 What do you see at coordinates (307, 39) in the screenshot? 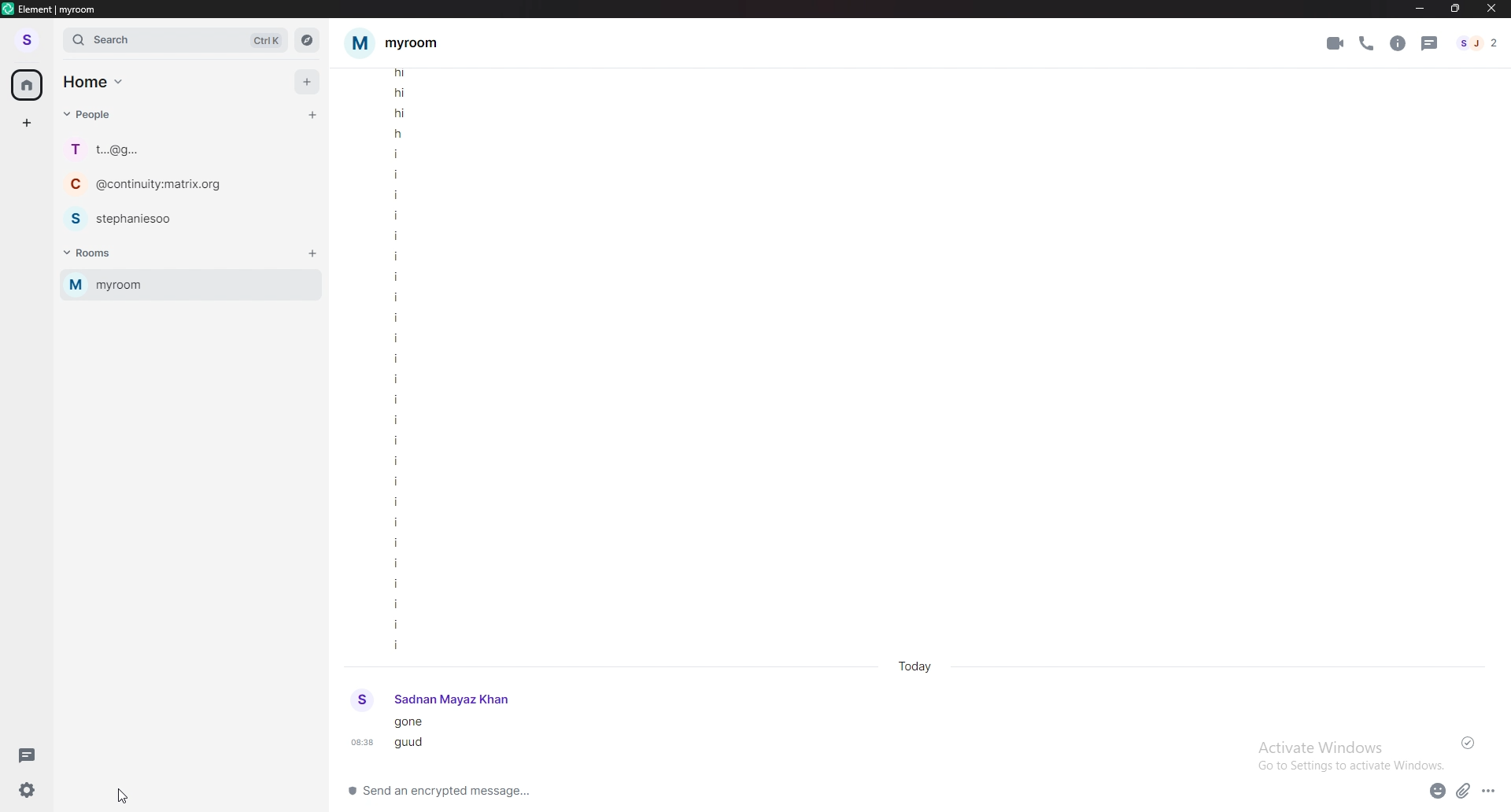
I see `explore` at bounding box center [307, 39].